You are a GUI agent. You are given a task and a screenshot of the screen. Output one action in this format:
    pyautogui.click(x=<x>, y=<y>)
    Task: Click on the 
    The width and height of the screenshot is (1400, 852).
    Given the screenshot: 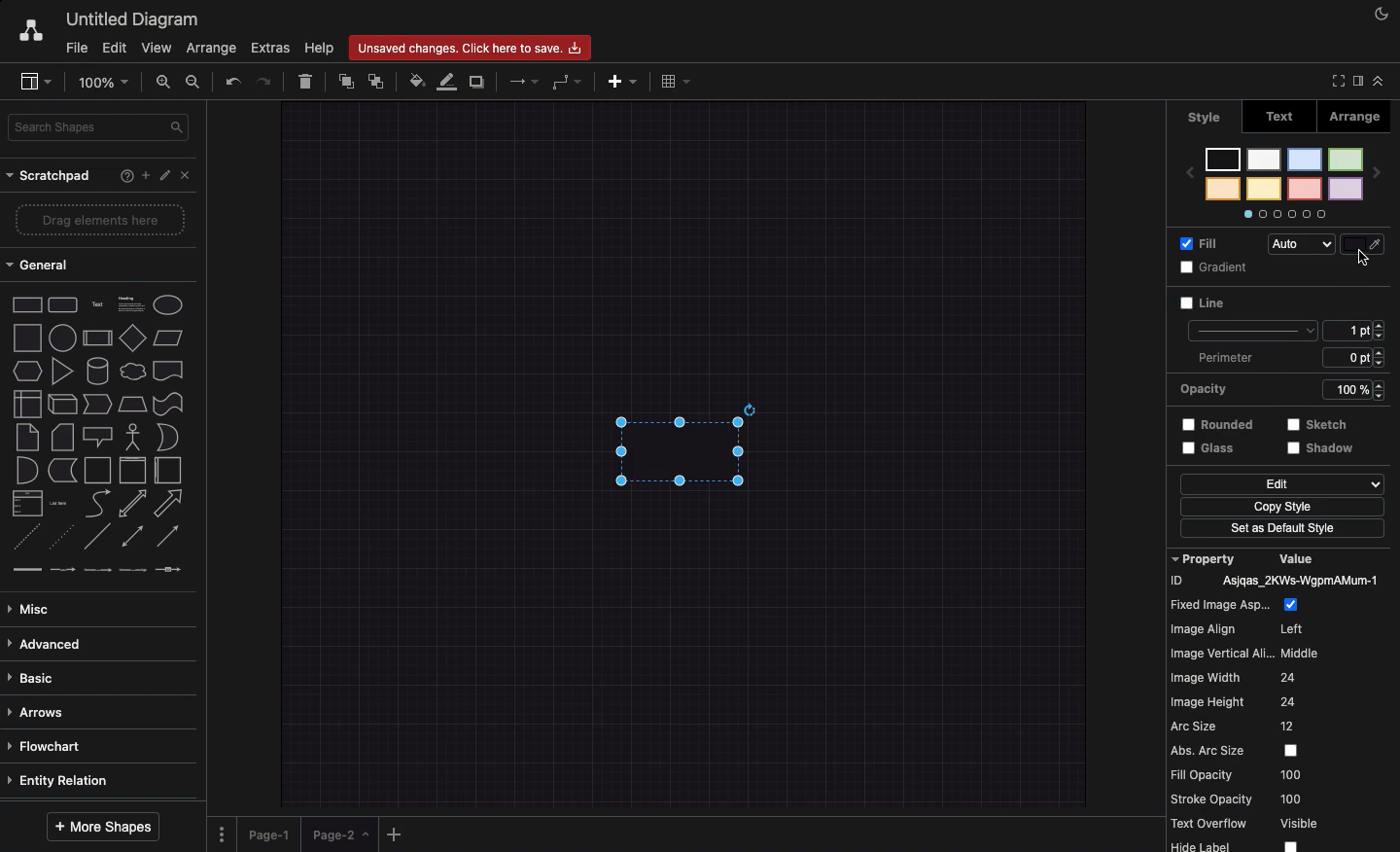 What is the action you would take?
    pyautogui.click(x=132, y=337)
    